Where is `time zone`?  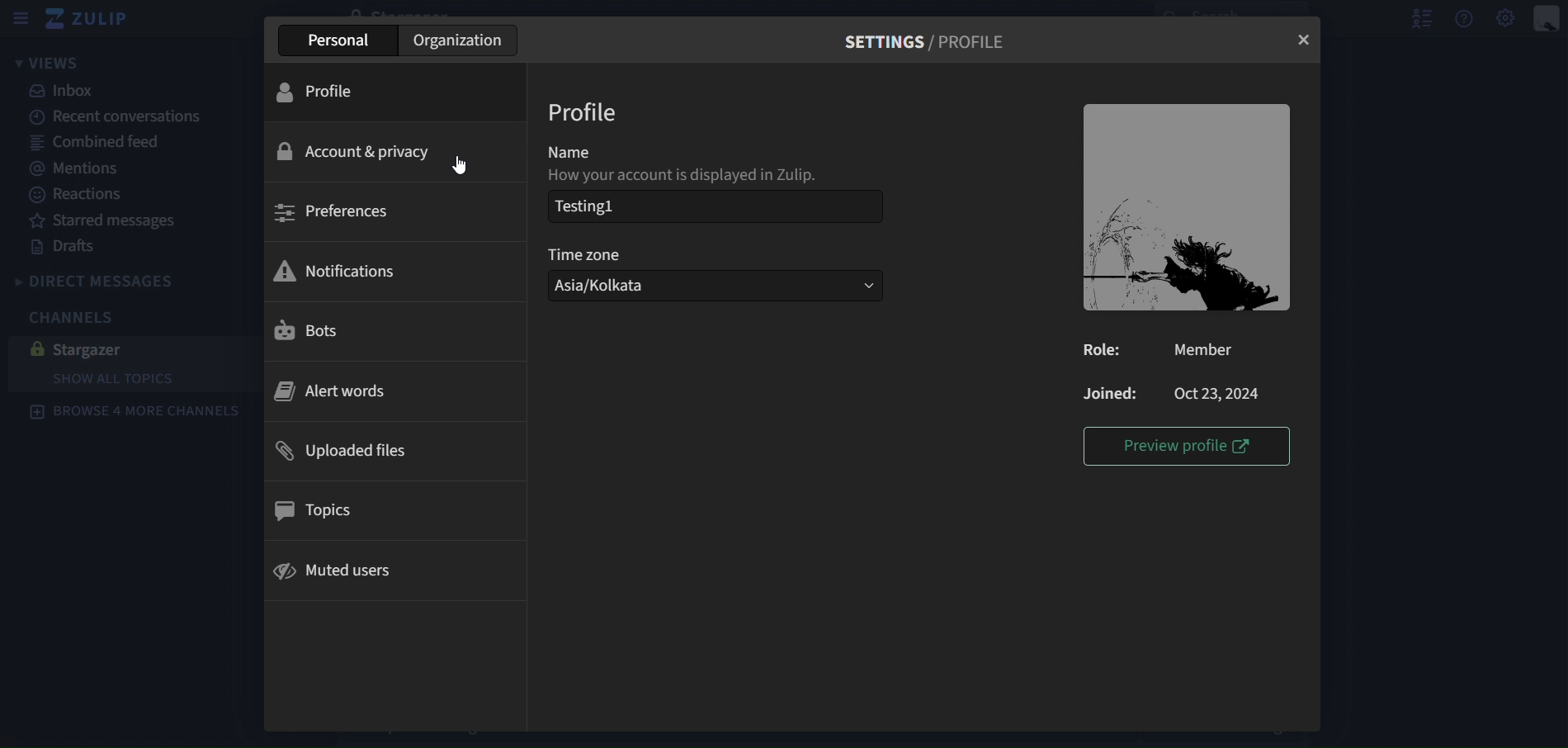
time zone is located at coordinates (591, 255).